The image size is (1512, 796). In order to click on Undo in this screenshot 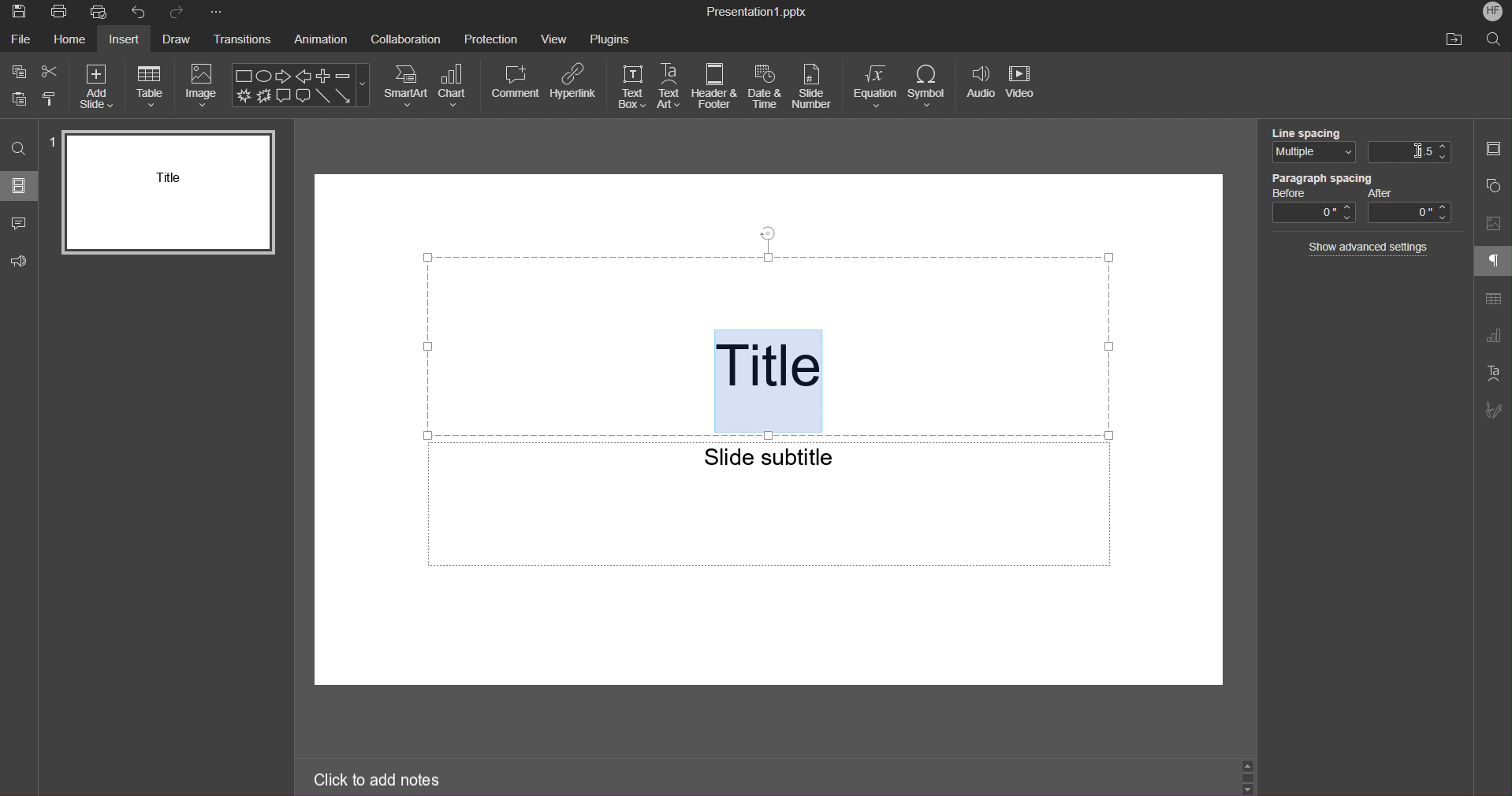, I will do `click(140, 13)`.